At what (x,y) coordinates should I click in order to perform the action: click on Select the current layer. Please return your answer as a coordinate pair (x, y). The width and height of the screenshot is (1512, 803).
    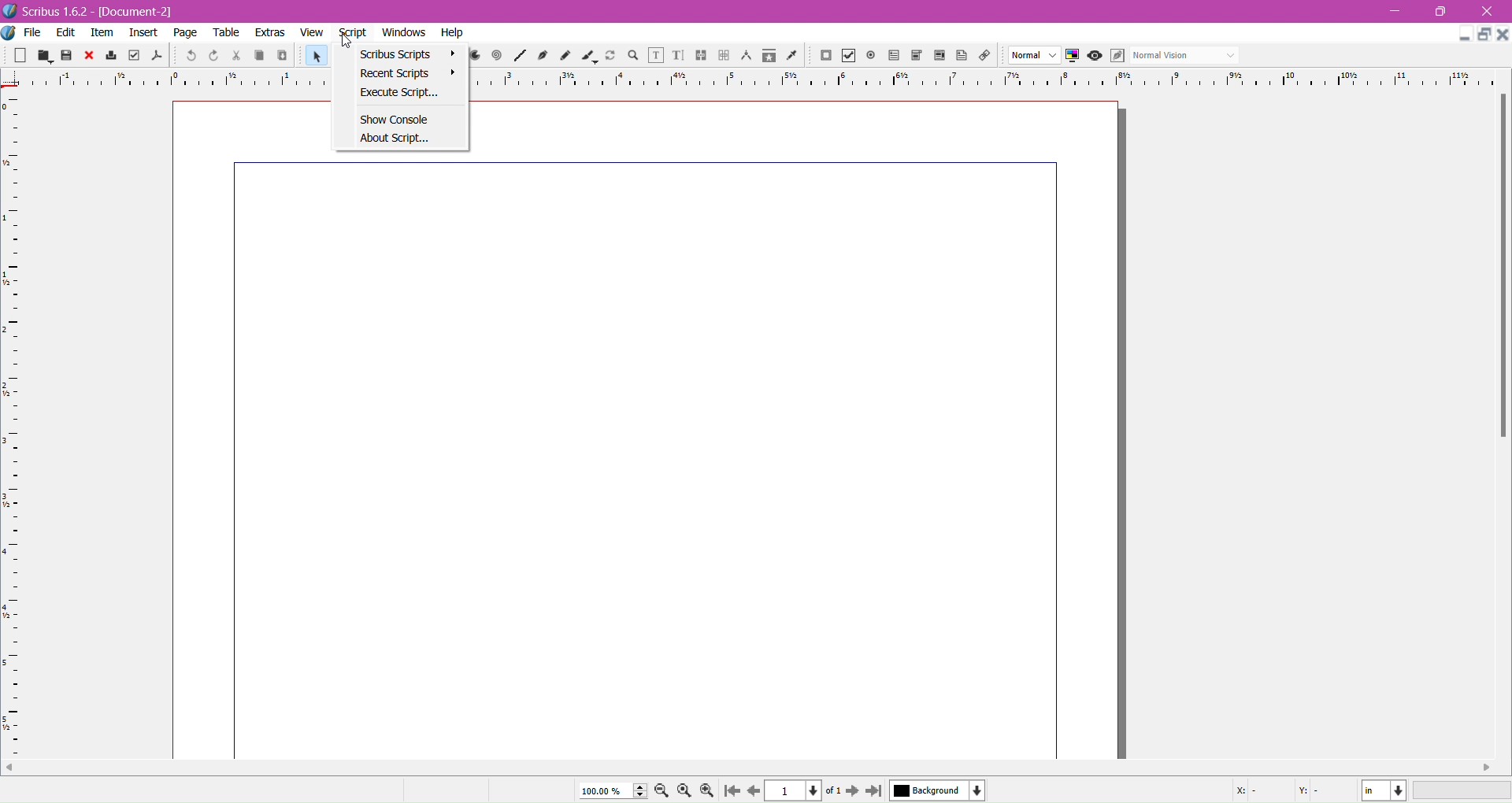
    Looking at the image, I should click on (938, 790).